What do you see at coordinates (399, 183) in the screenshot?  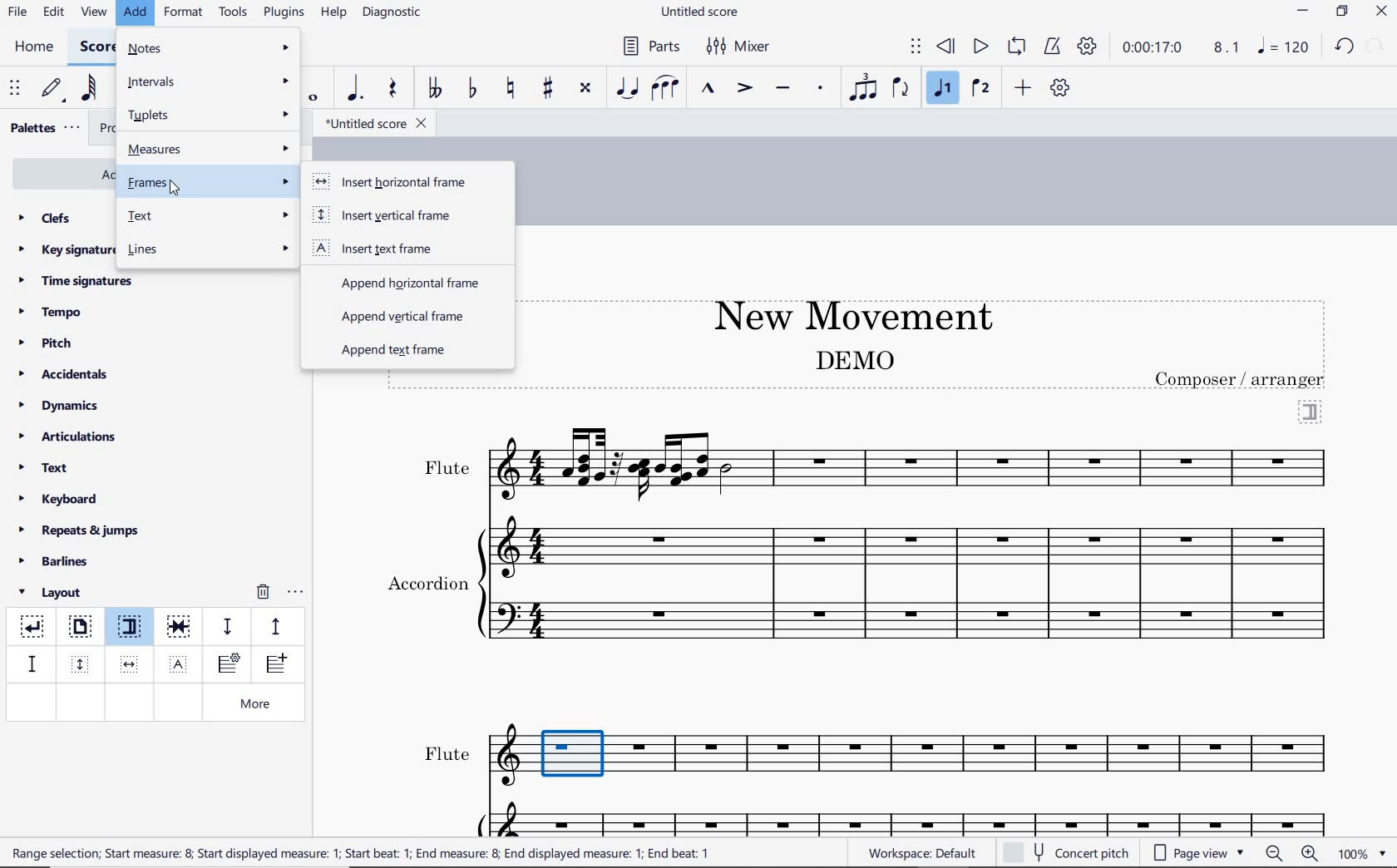 I see `insert horizontal frame` at bounding box center [399, 183].